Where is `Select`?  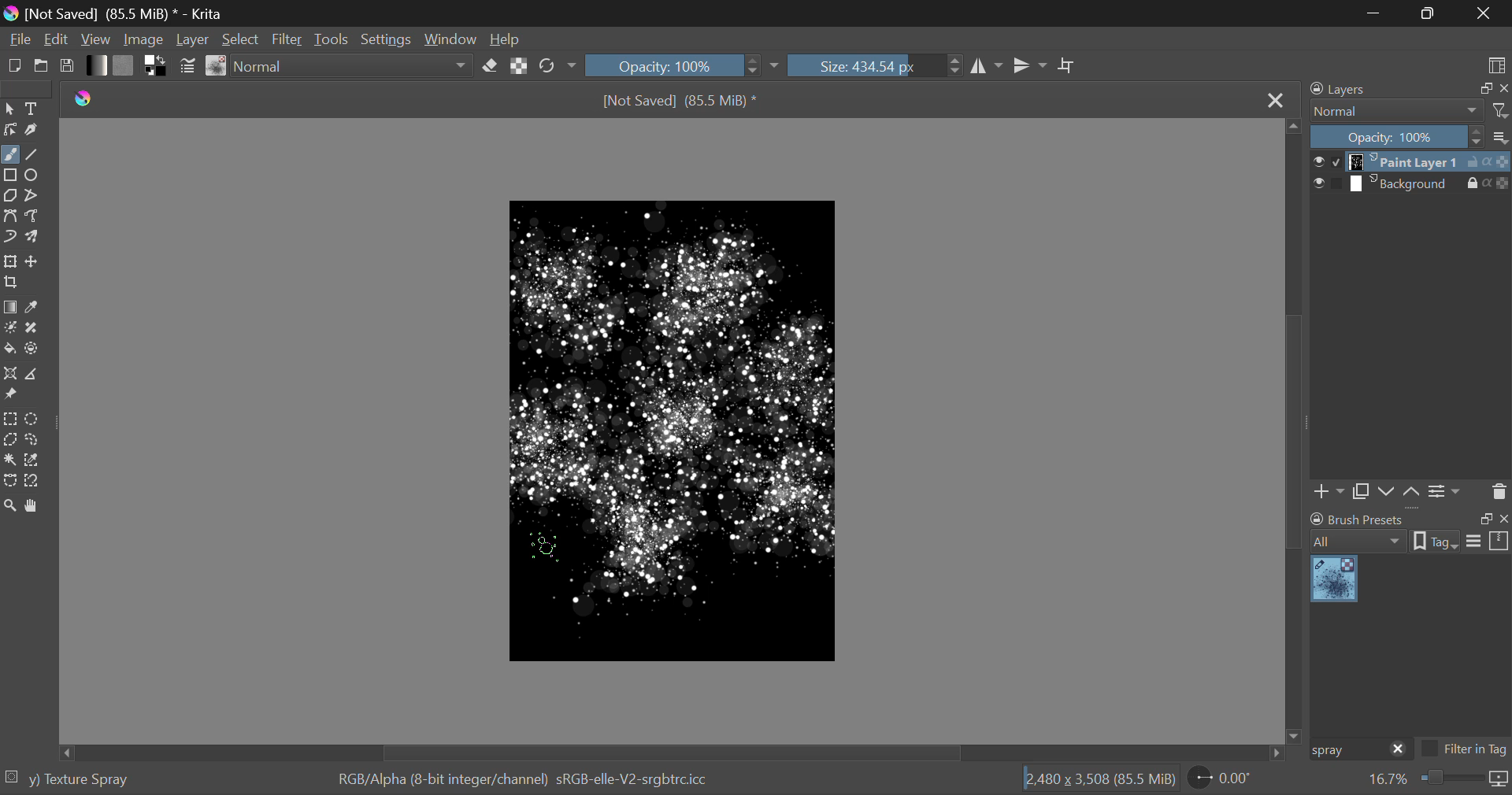 Select is located at coordinates (9, 109).